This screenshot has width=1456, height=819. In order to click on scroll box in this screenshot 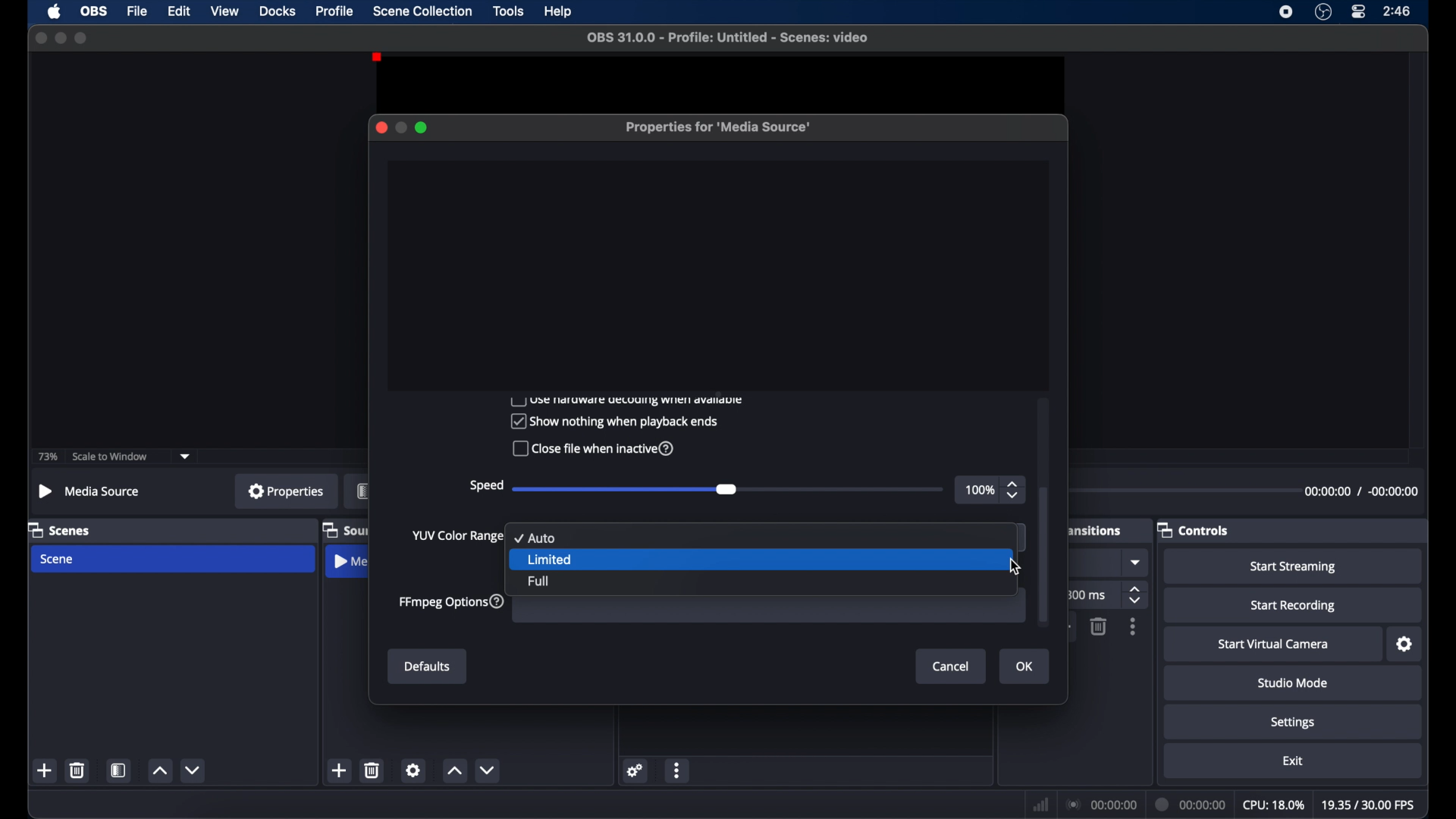, I will do `click(1043, 554)`.